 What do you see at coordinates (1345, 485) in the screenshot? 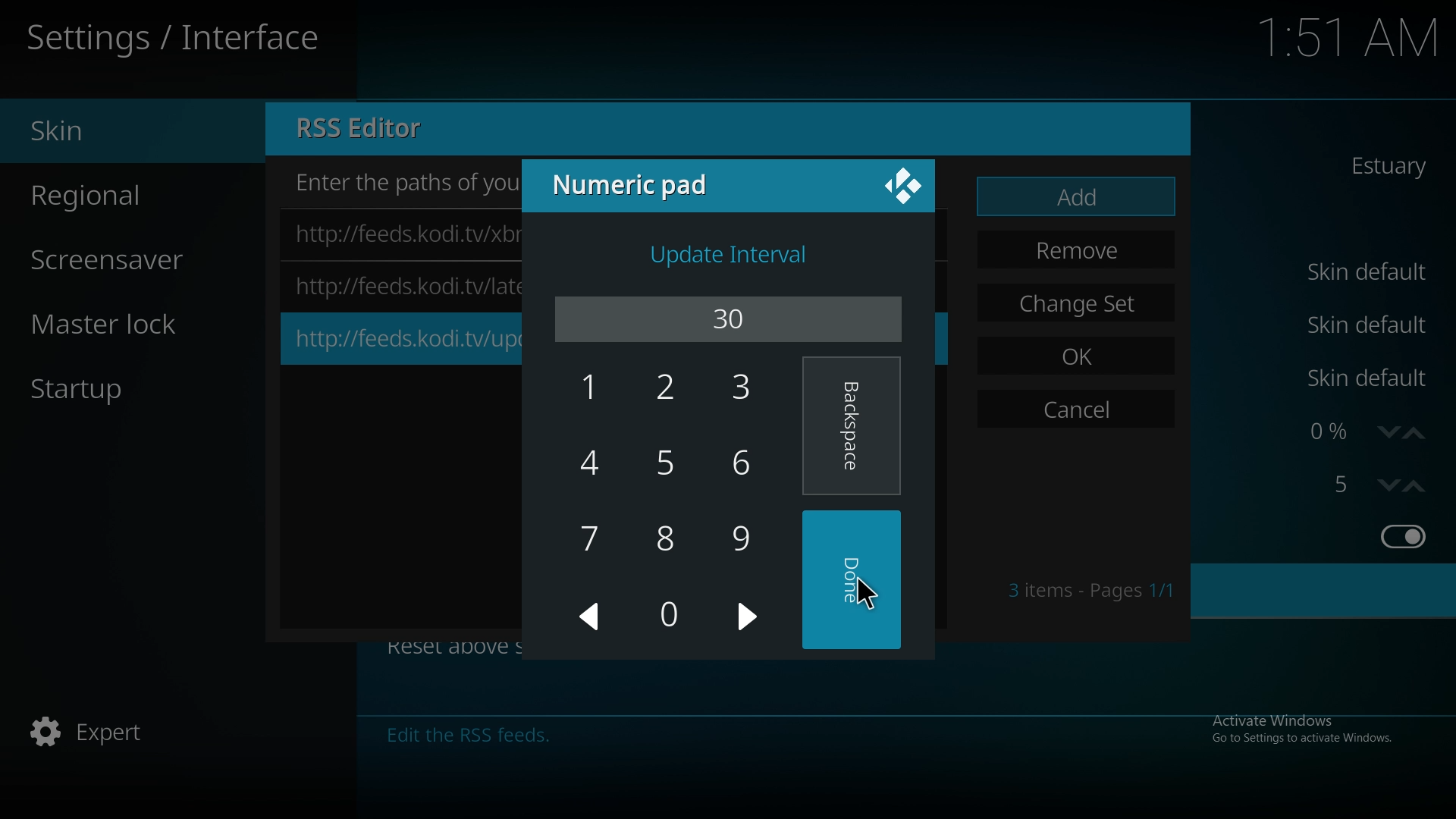
I see `stereoscopic 3d effect strength` at bounding box center [1345, 485].